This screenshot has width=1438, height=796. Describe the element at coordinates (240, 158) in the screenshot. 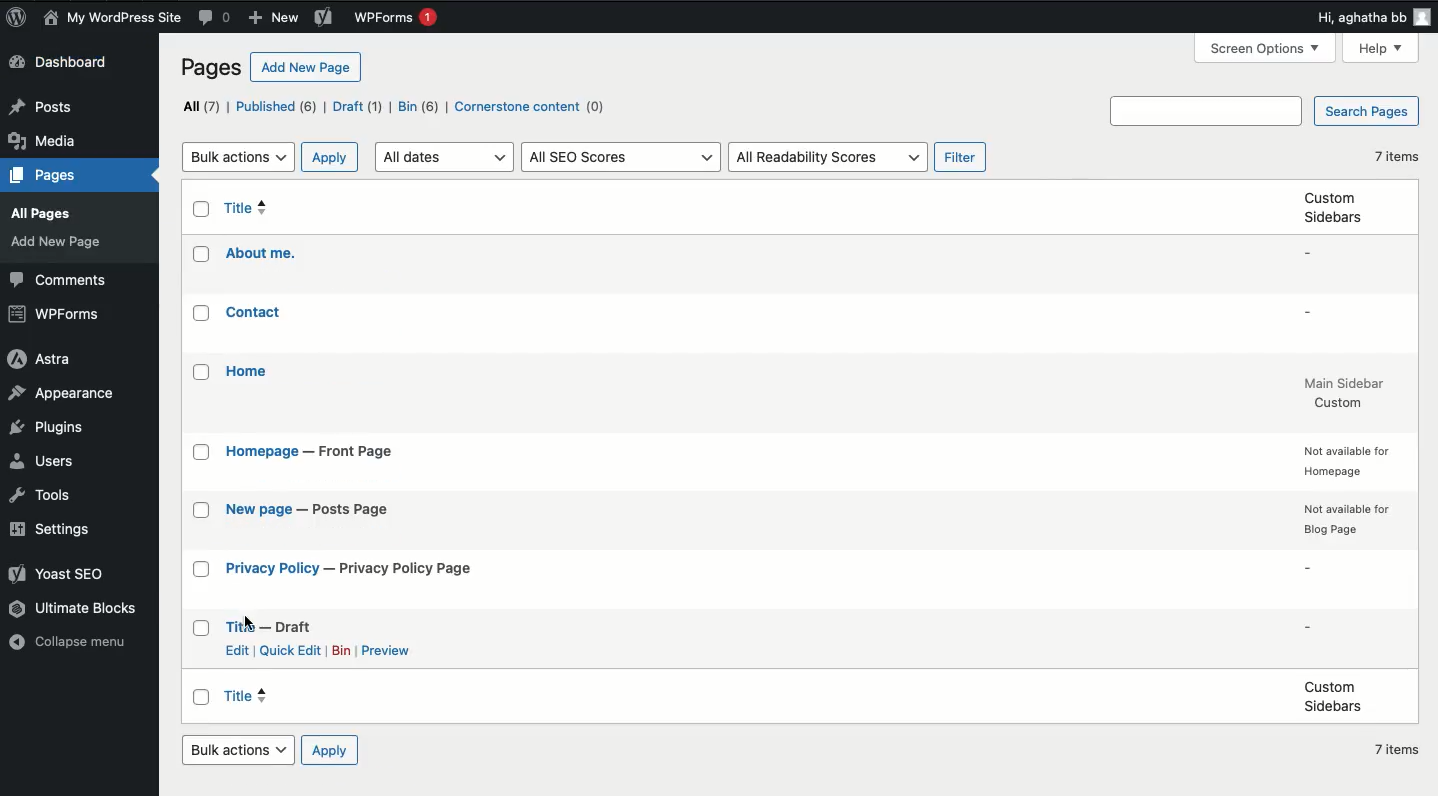

I see `Bulk actions` at that location.